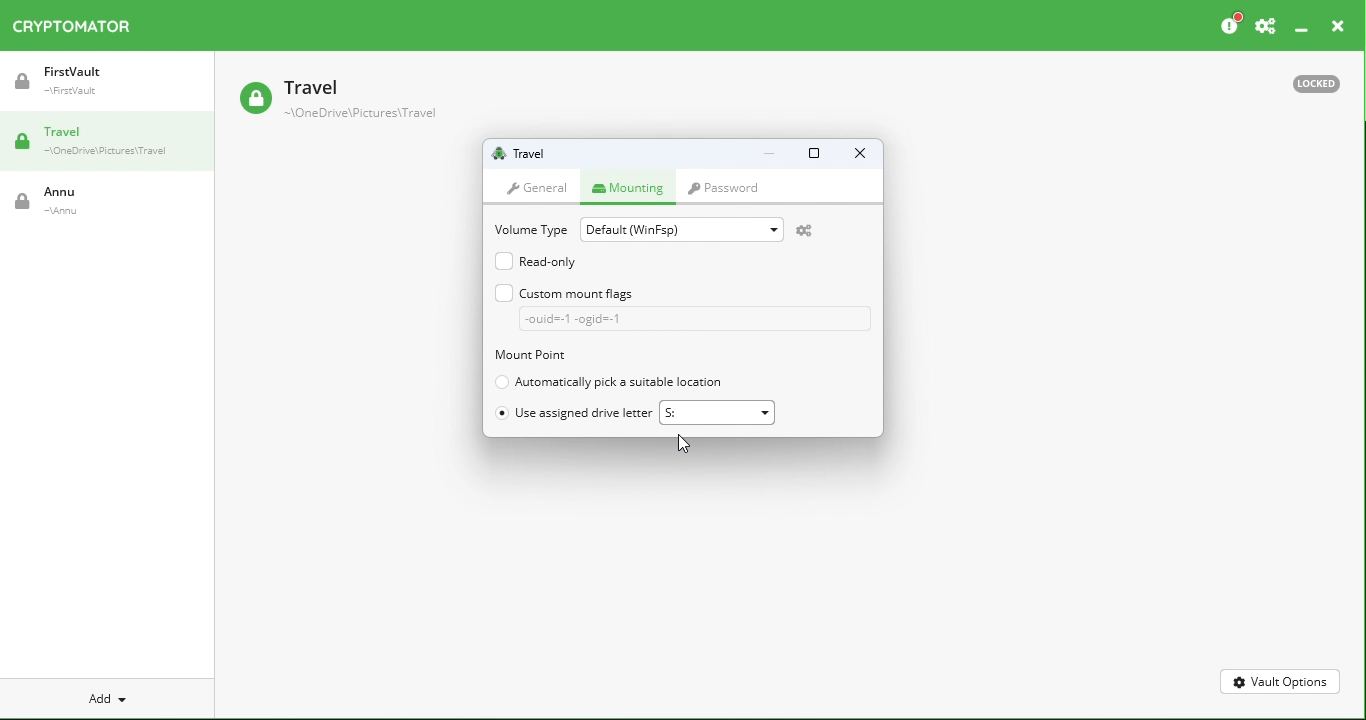  What do you see at coordinates (528, 228) in the screenshot?
I see `Volume type` at bounding box center [528, 228].